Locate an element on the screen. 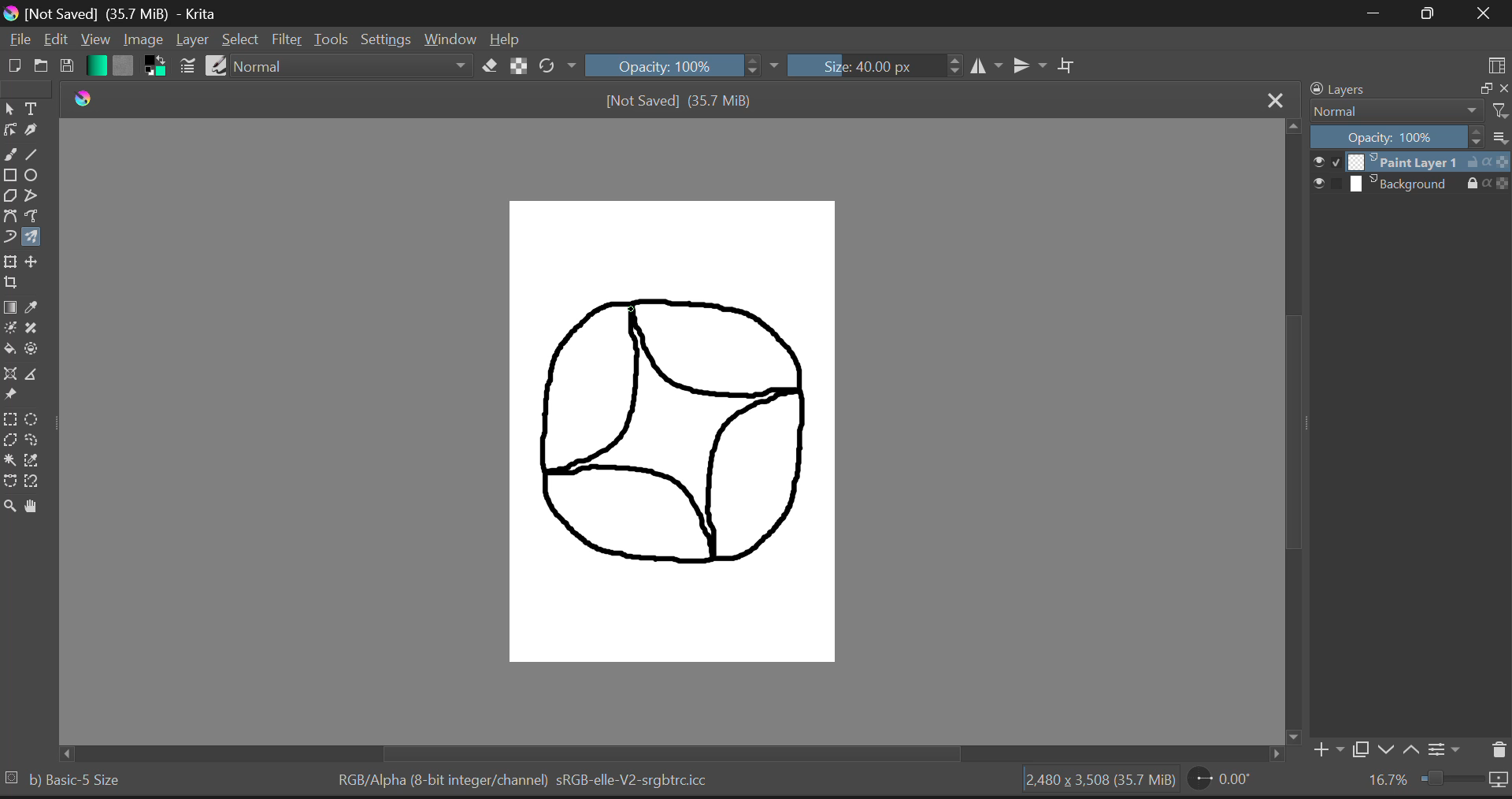  Similar Color Selection is located at coordinates (39, 463).